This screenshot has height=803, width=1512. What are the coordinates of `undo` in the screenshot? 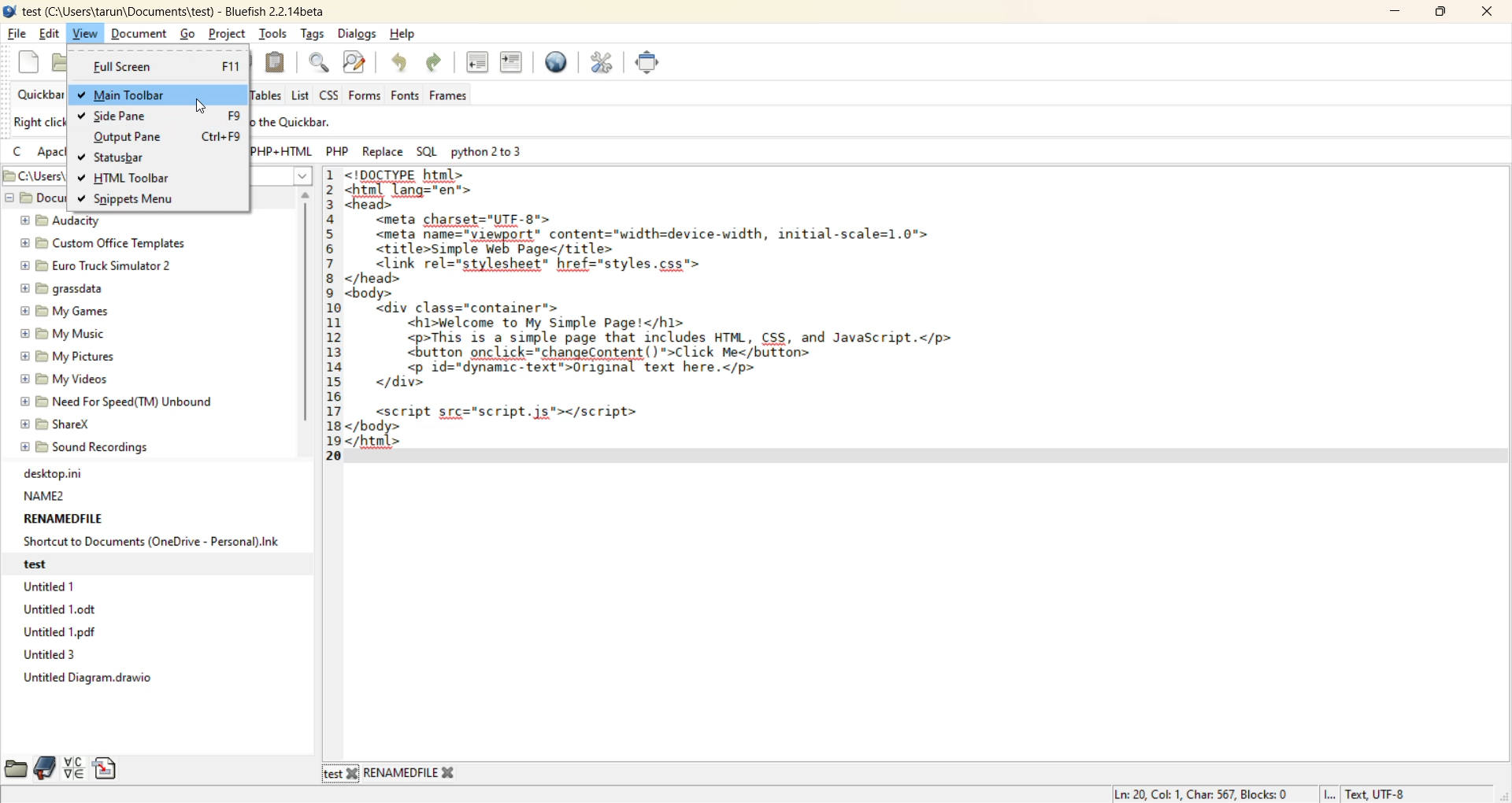 It's located at (400, 64).